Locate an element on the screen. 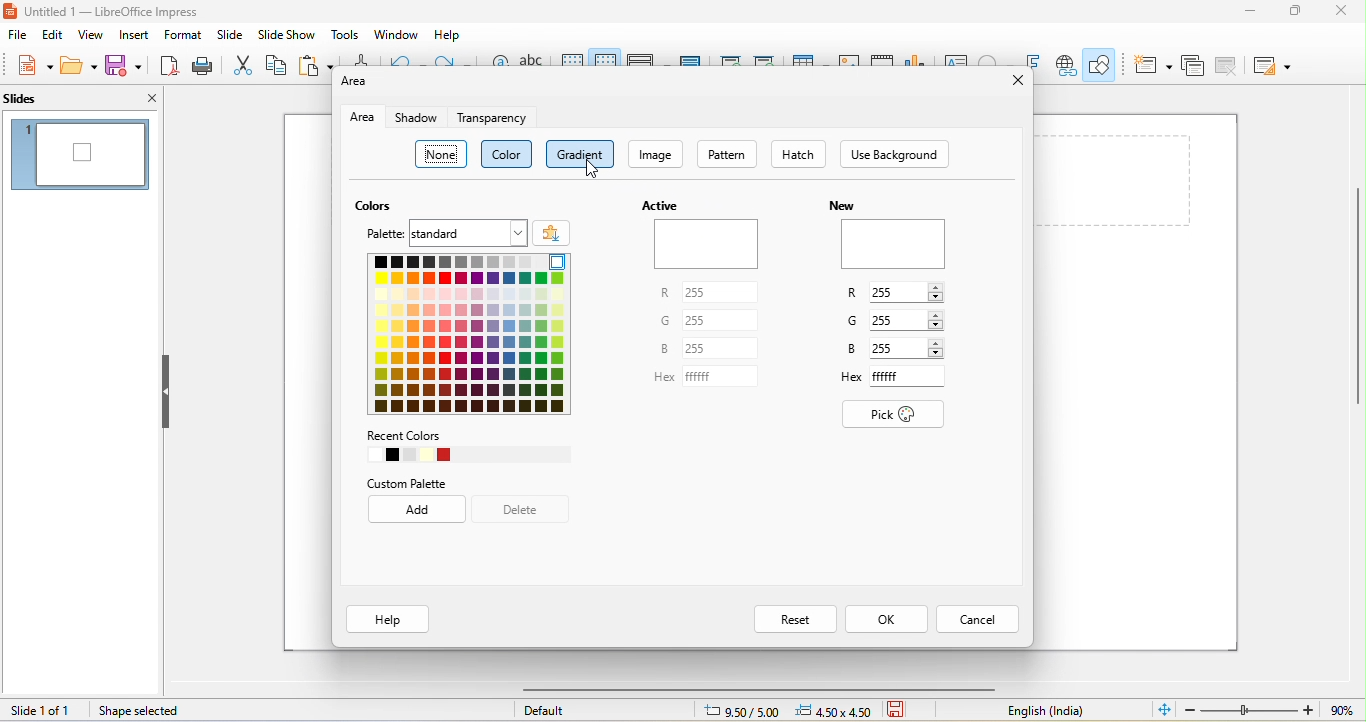 This screenshot has height=722, width=1366. palette is located at coordinates (382, 235).